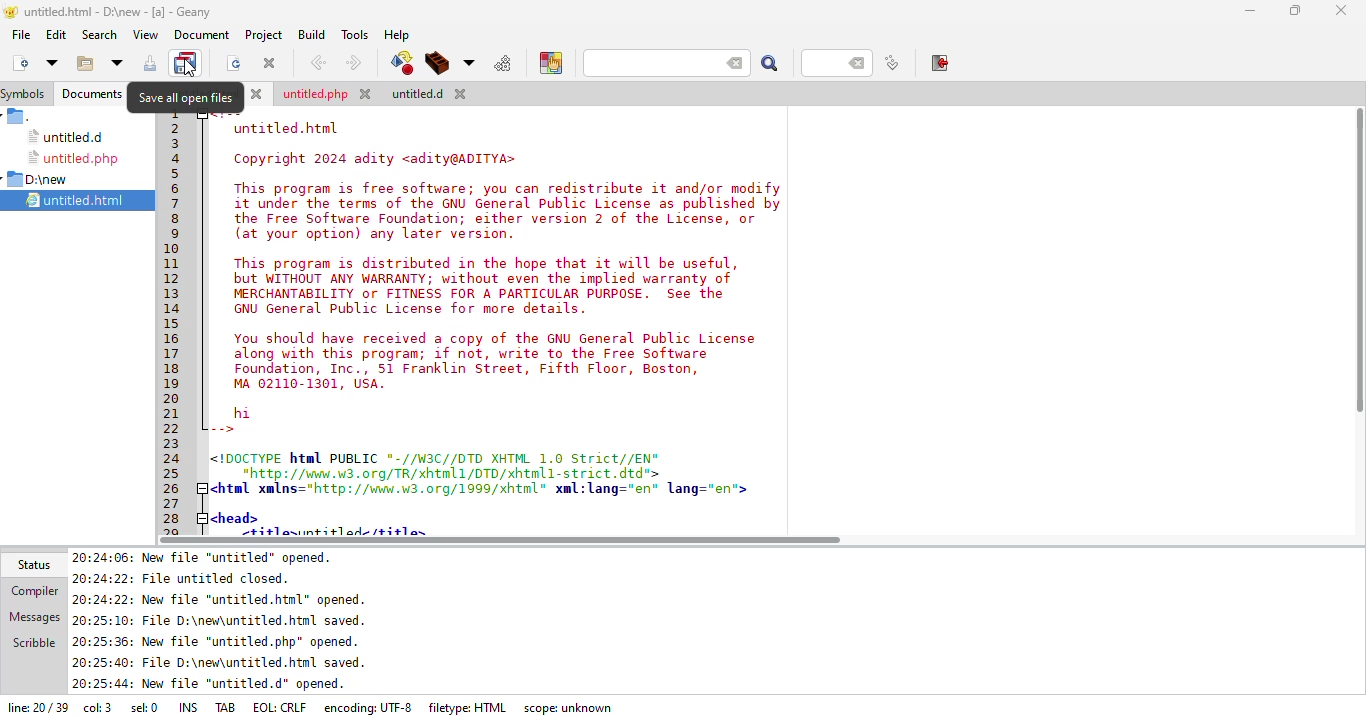 This screenshot has width=1366, height=718. What do you see at coordinates (468, 62) in the screenshot?
I see `choose more` at bounding box center [468, 62].